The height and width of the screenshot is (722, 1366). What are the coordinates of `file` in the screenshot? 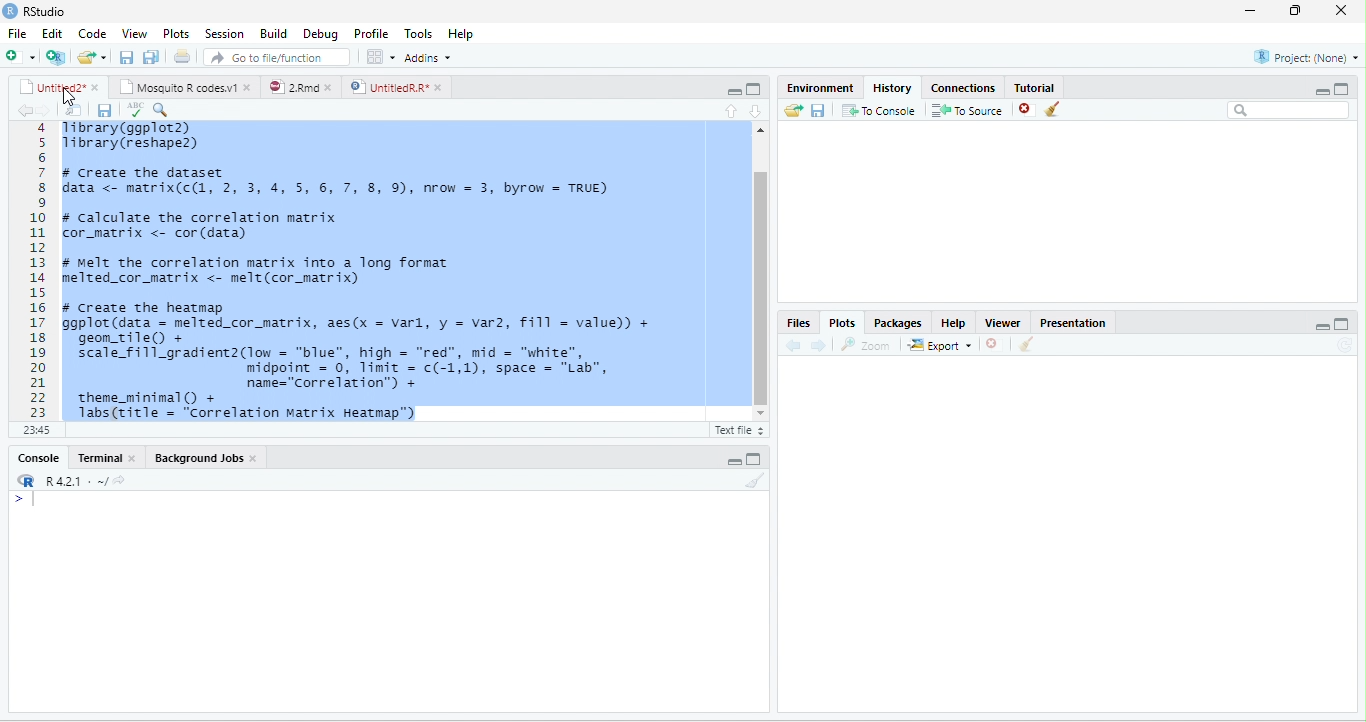 It's located at (17, 33).